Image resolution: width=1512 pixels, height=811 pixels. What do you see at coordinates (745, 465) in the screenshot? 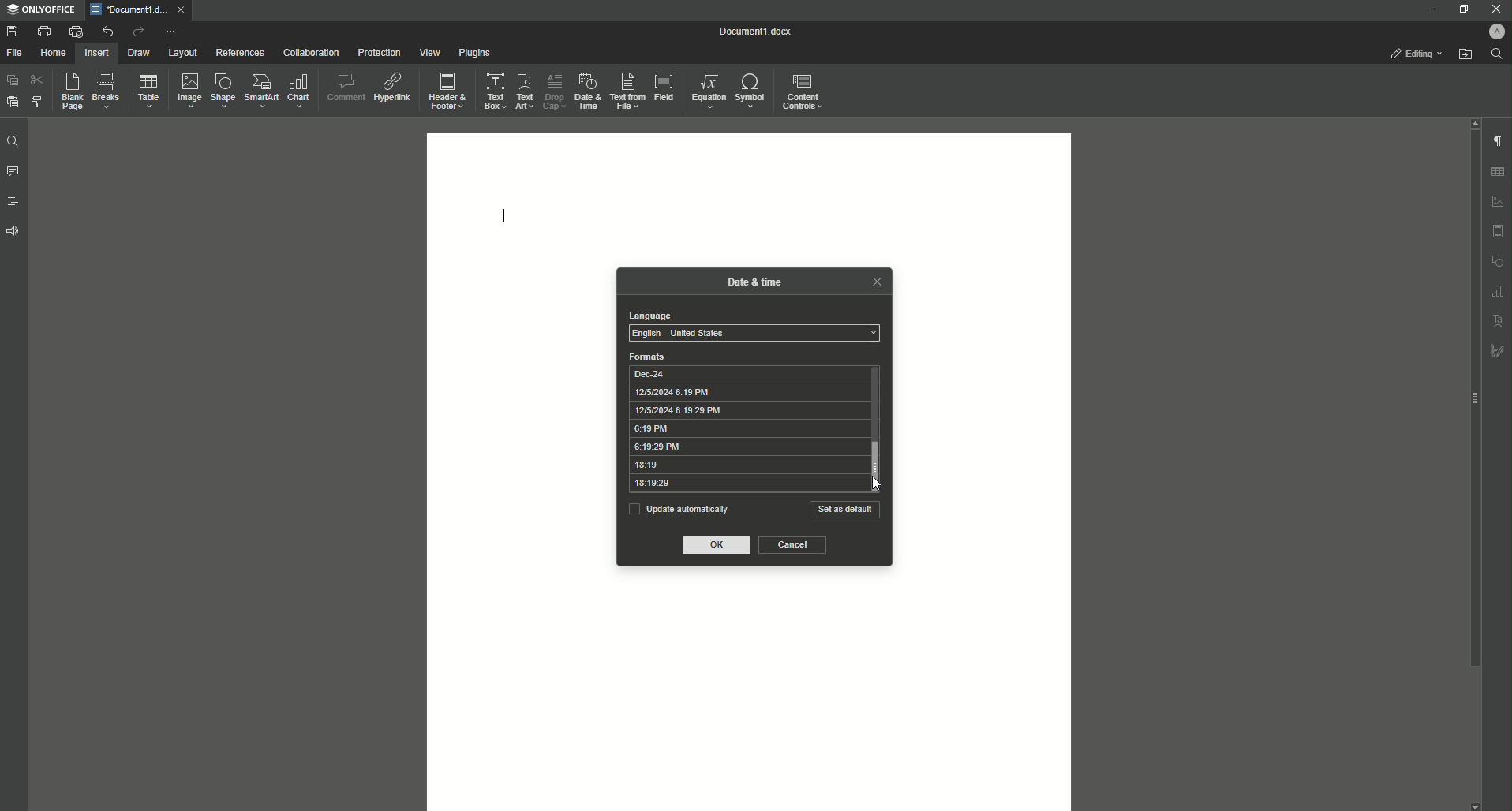
I see `18:19` at bounding box center [745, 465].